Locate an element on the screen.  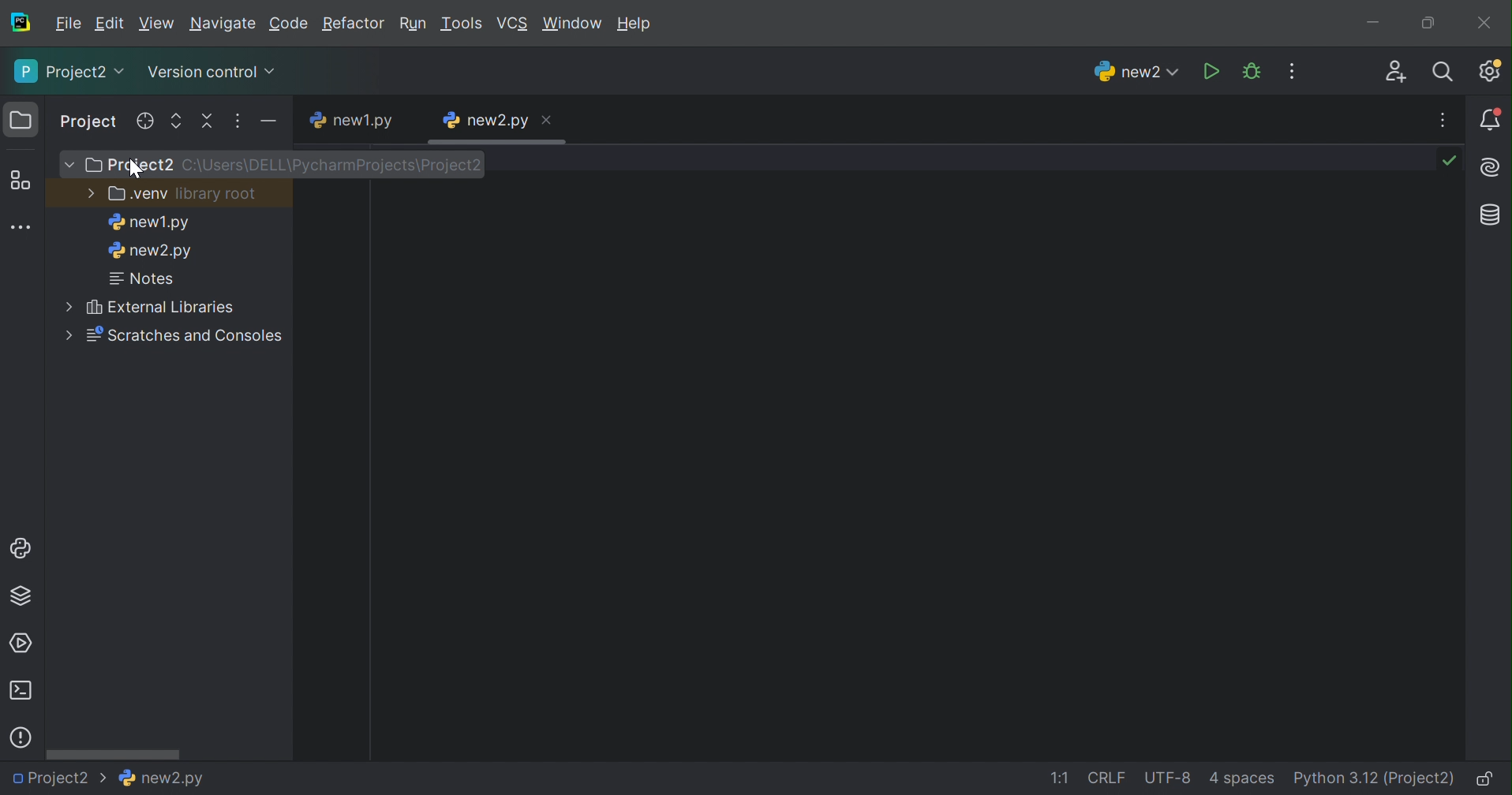
new2.py is located at coordinates (485, 119).